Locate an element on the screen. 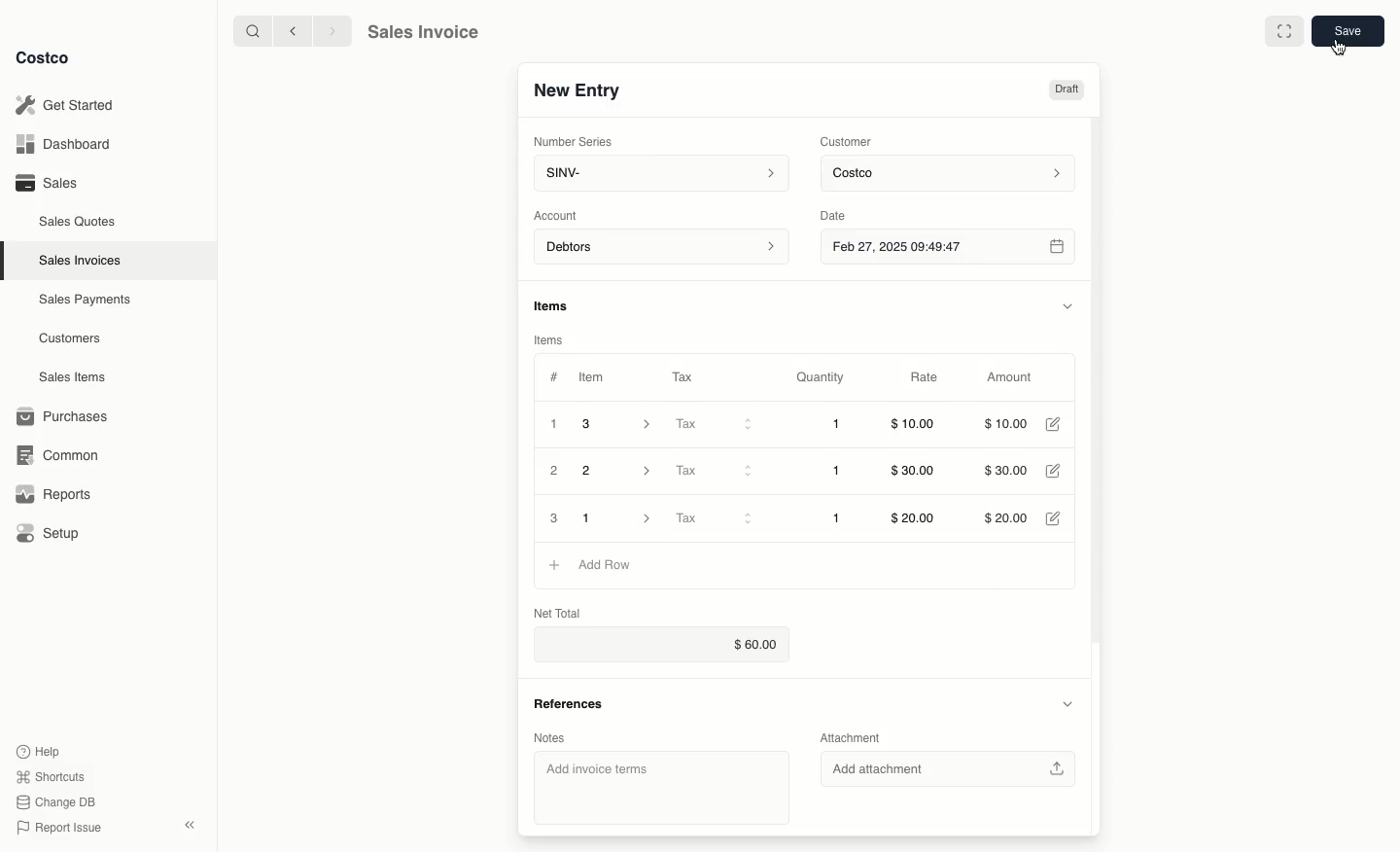  ‘Account is located at coordinates (559, 214).